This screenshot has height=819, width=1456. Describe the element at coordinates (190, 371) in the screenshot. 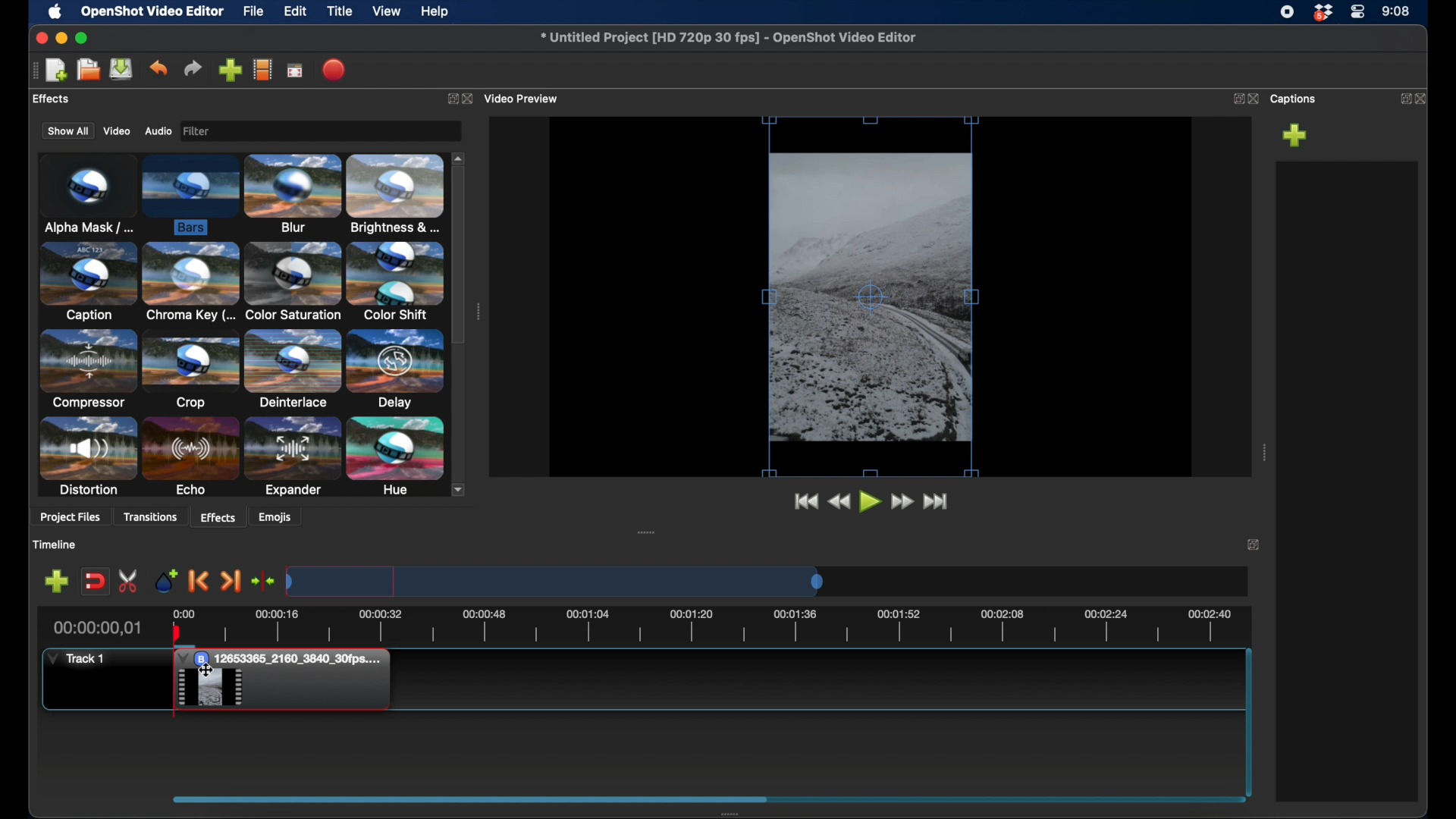

I see `crop` at that location.